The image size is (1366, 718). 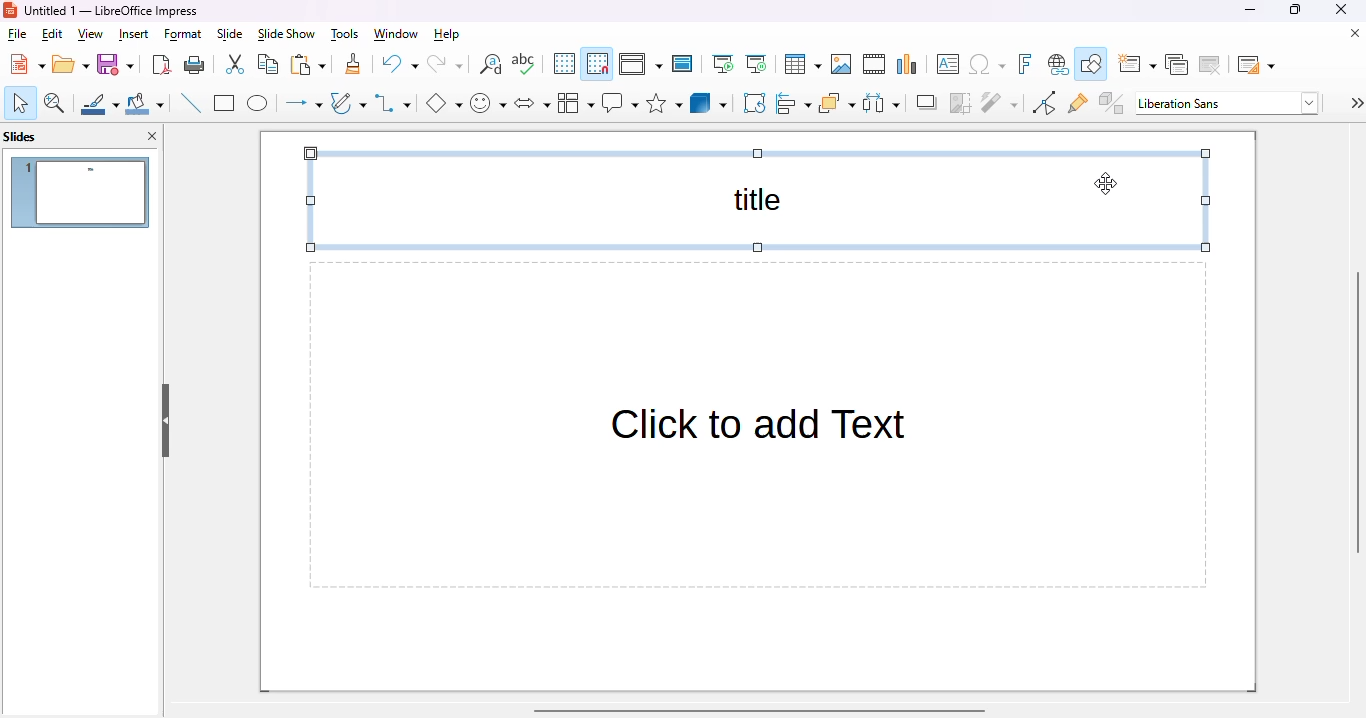 What do you see at coordinates (1137, 64) in the screenshot?
I see `new slide` at bounding box center [1137, 64].